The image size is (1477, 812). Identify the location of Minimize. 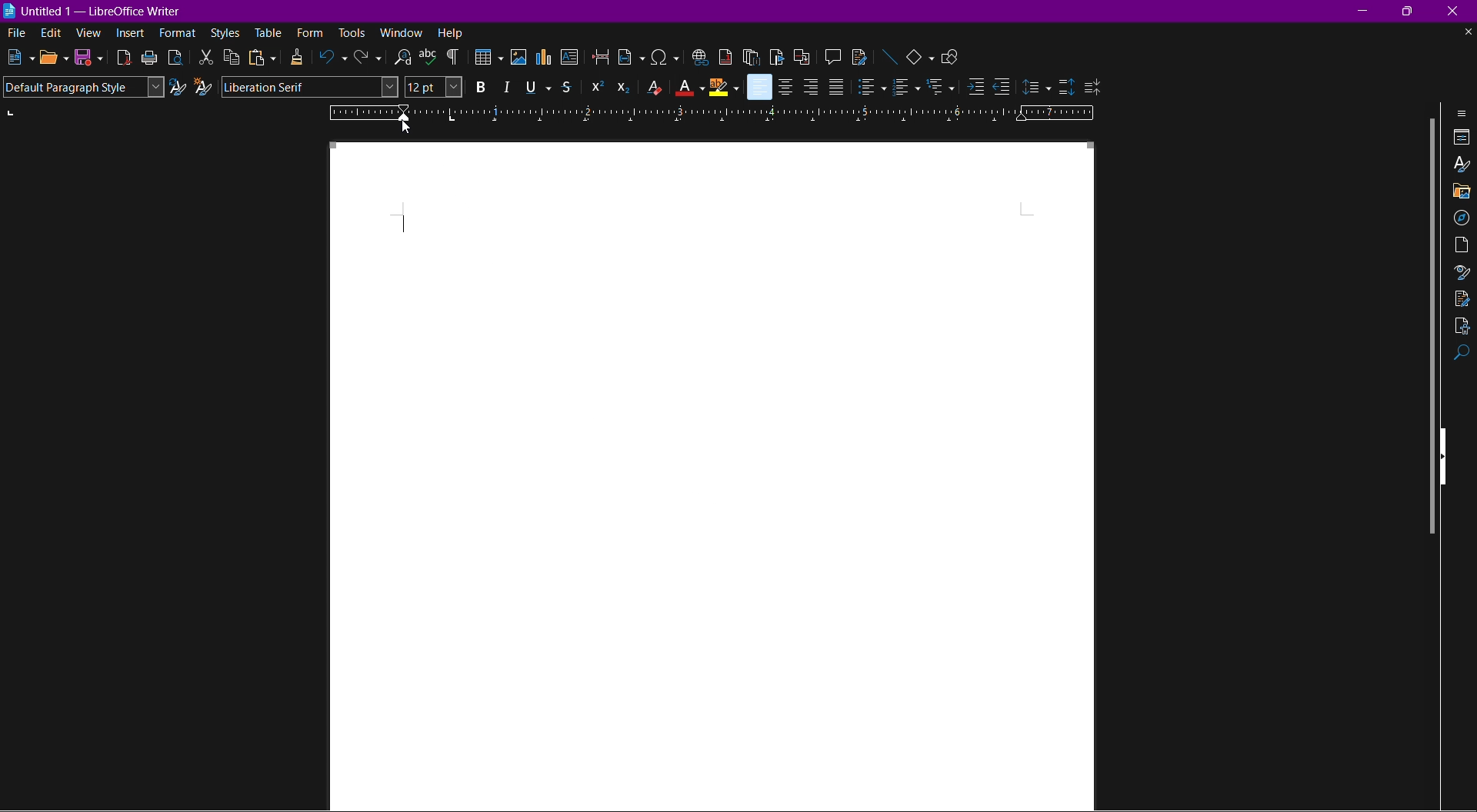
(1365, 10).